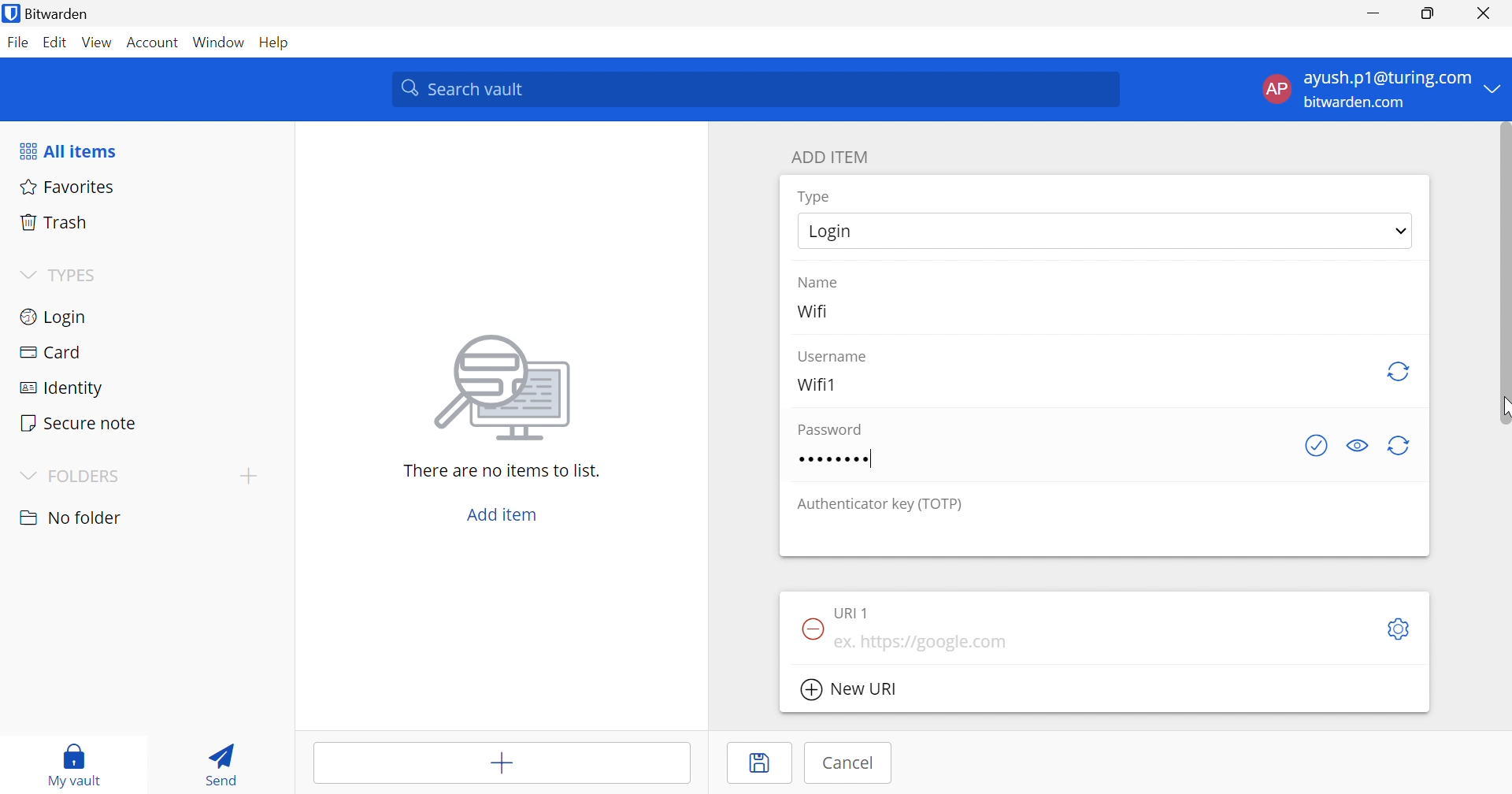 This screenshot has height=794, width=1512. What do you see at coordinates (816, 198) in the screenshot?
I see `Type` at bounding box center [816, 198].